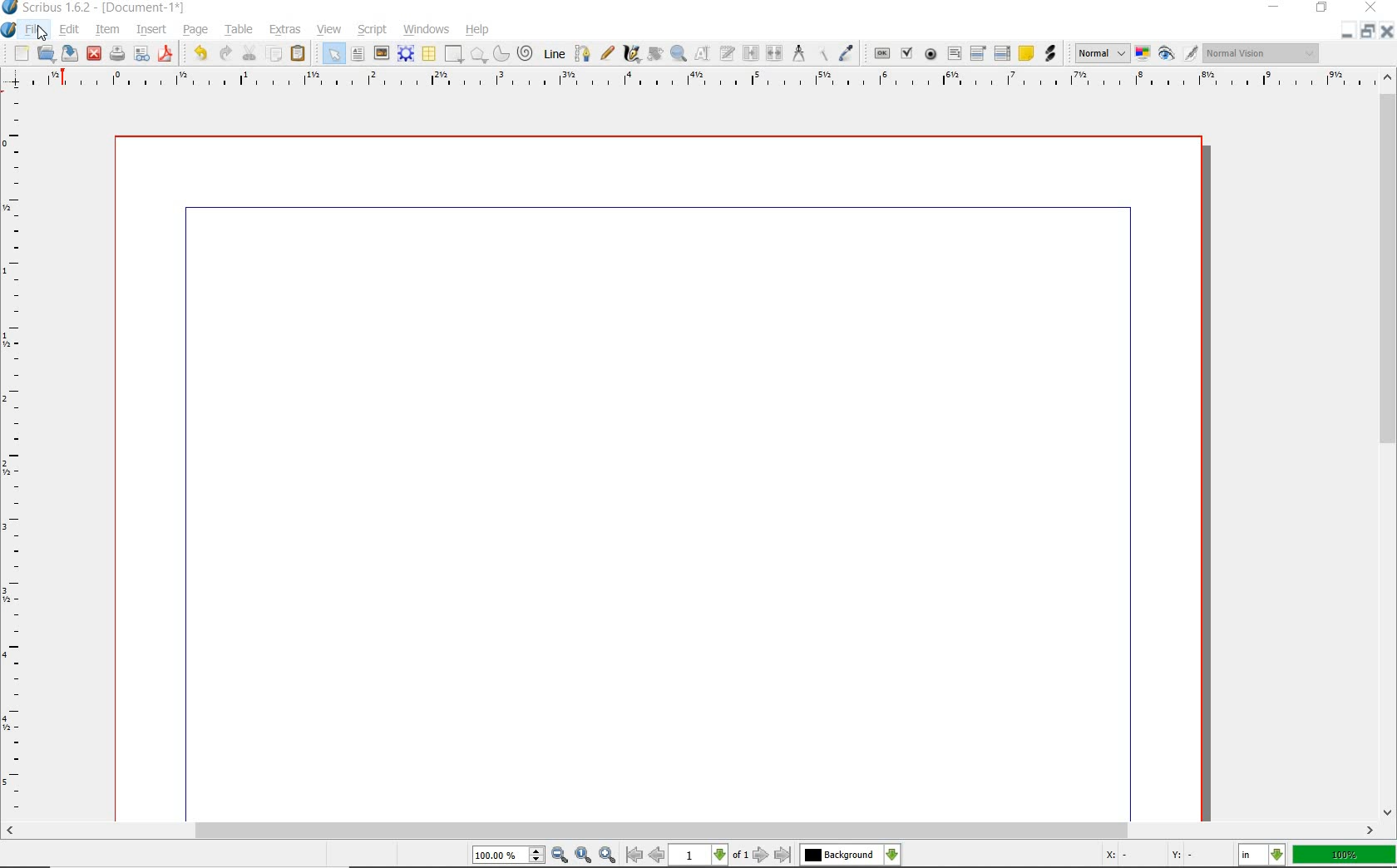 The height and width of the screenshot is (868, 1397). What do you see at coordinates (287, 30) in the screenshot?
I see `extras` at bounding box center [287, 30].